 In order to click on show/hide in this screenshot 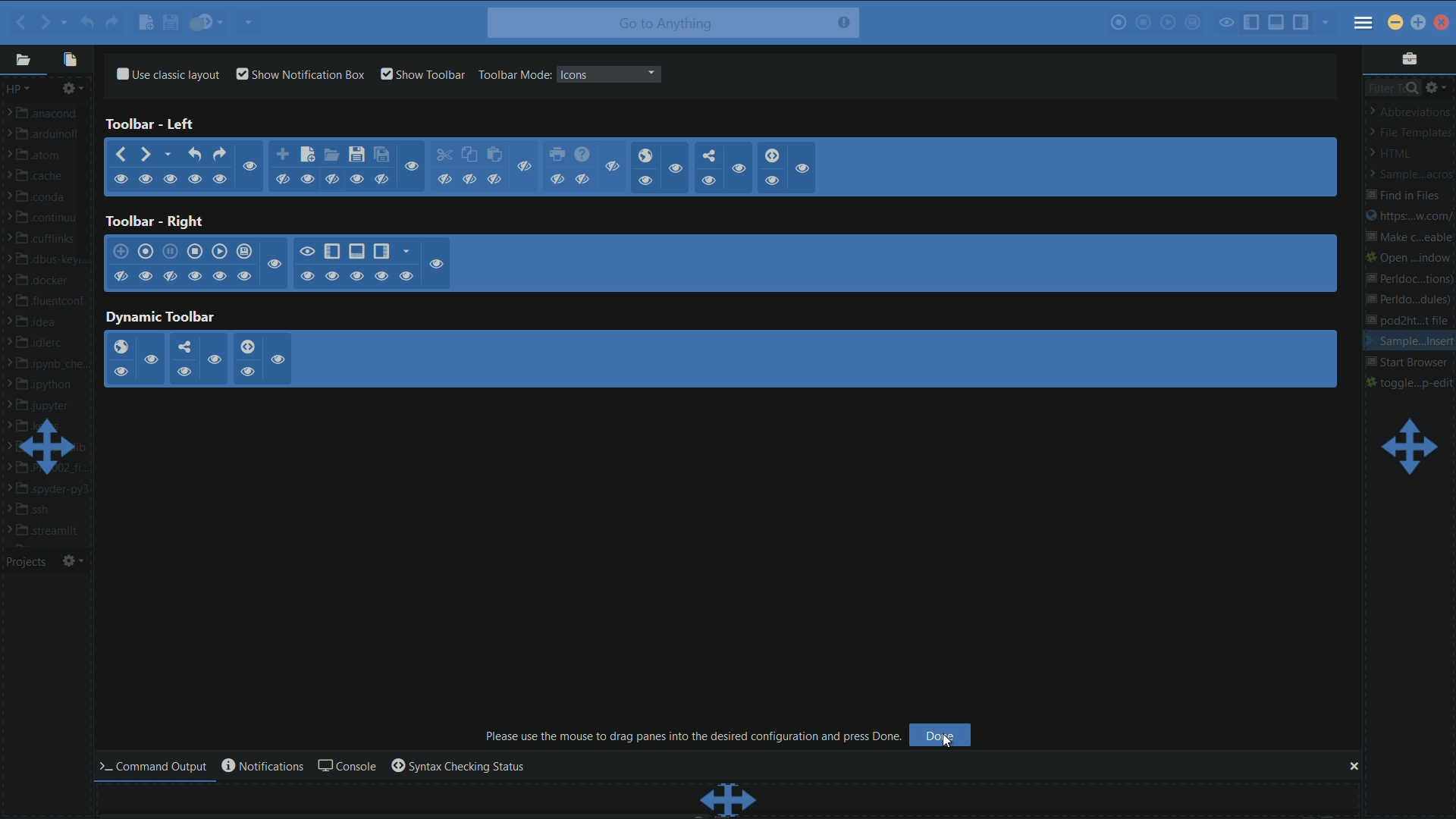, I will do `click(444, 180)`.